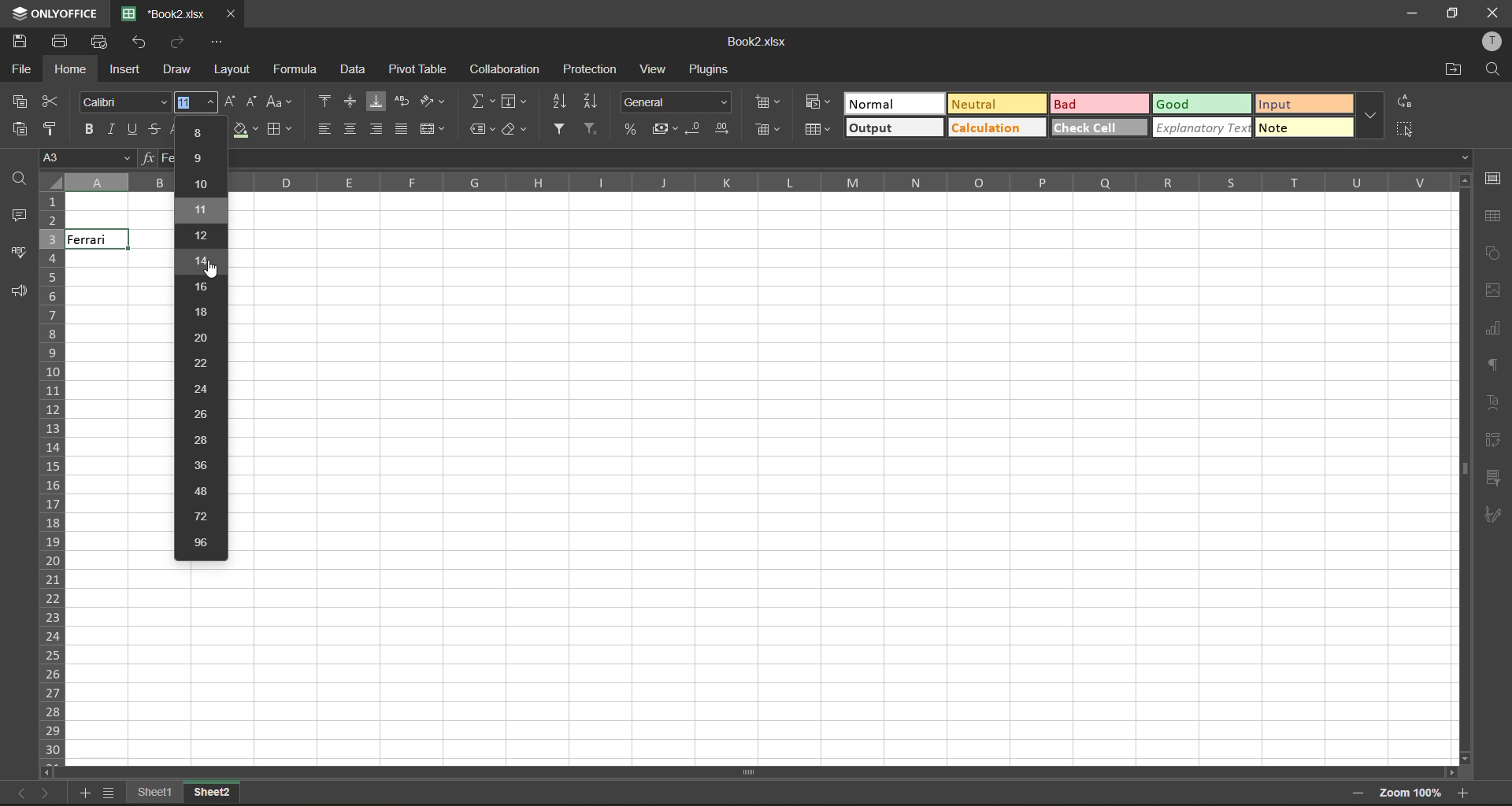  Describe the element at coordinates (206, 492) in the screenshot. I see `48` at that location.